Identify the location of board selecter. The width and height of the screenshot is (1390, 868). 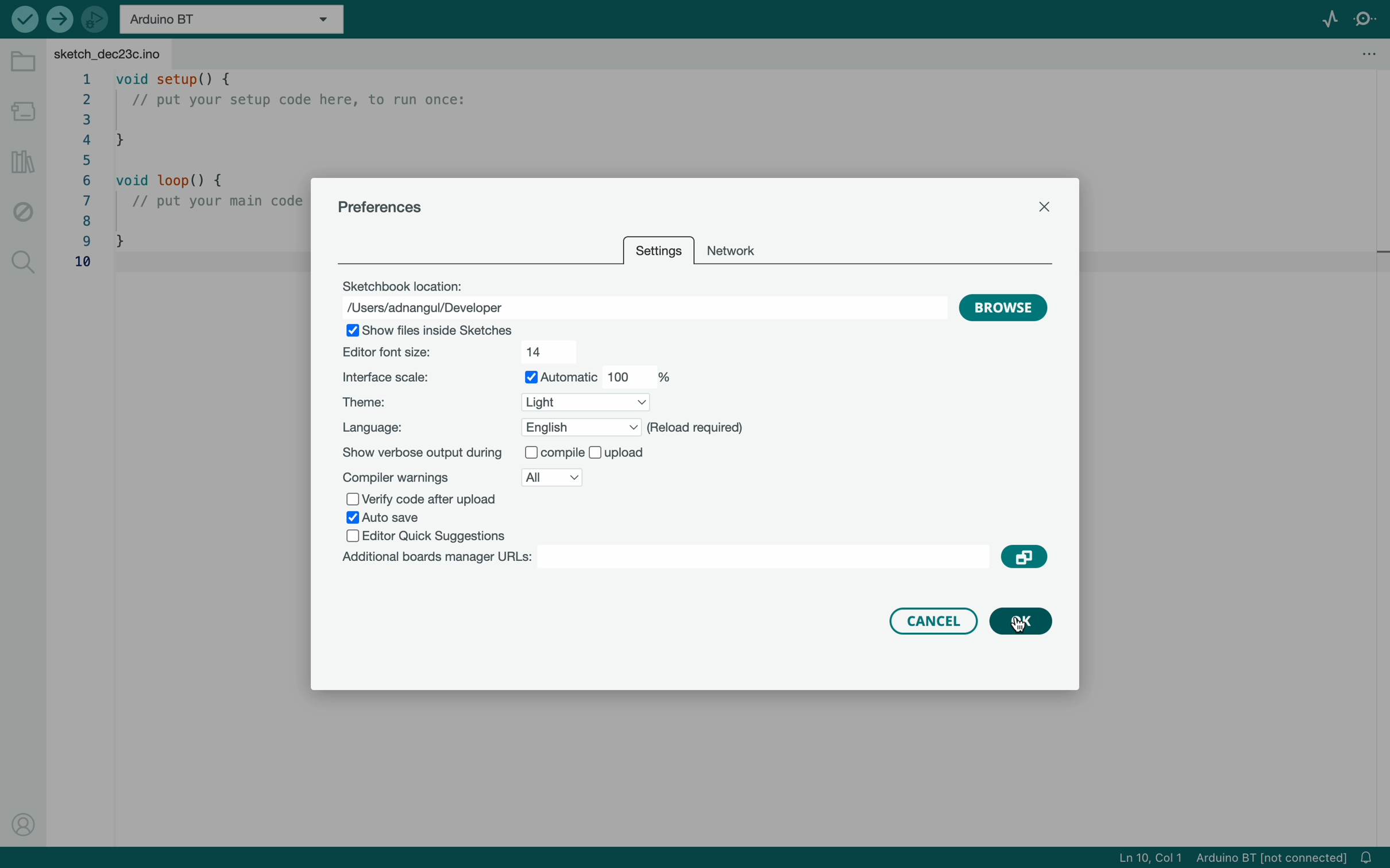
(233, 19).